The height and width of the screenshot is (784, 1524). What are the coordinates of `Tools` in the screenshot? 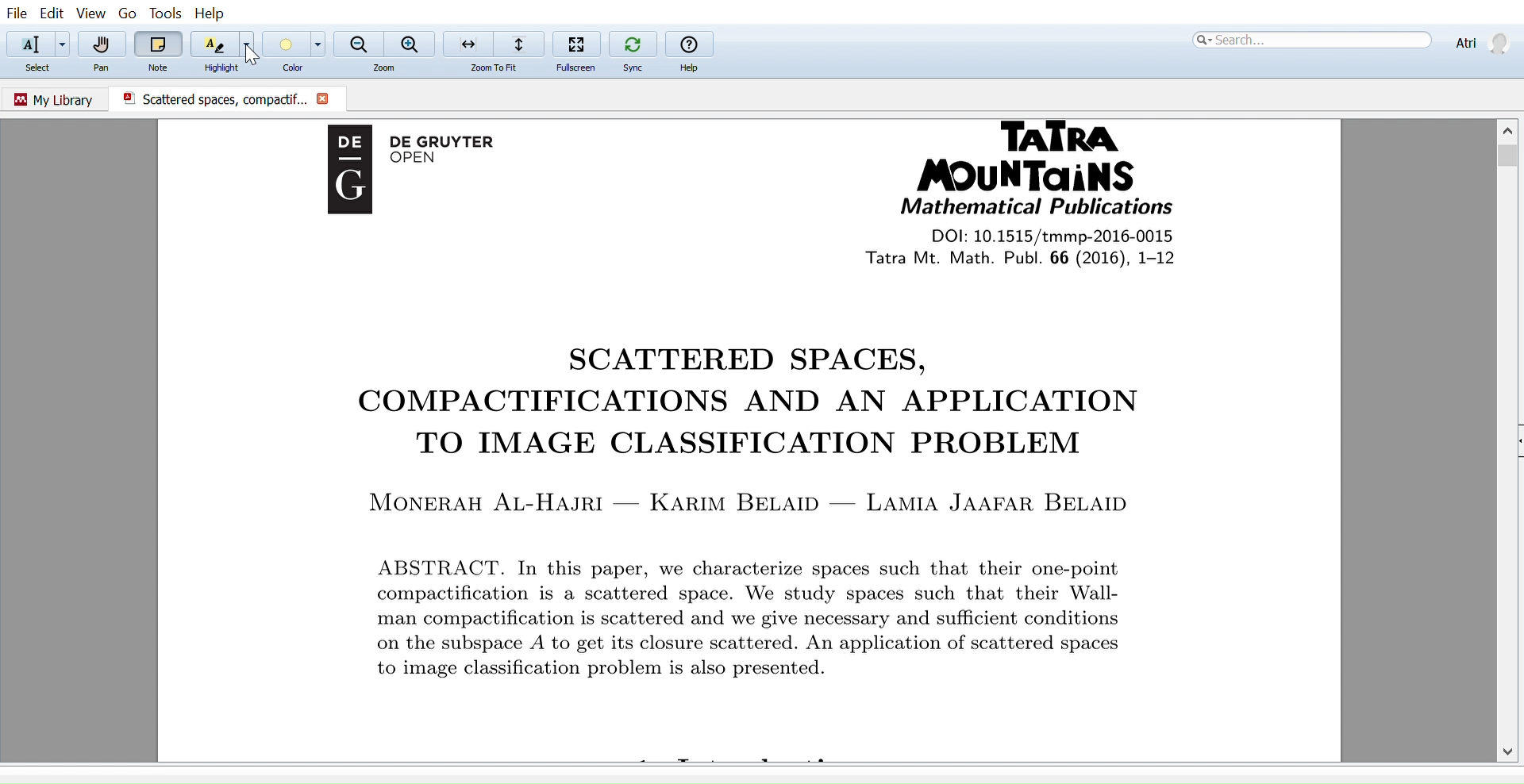 It's located at (162, 13).